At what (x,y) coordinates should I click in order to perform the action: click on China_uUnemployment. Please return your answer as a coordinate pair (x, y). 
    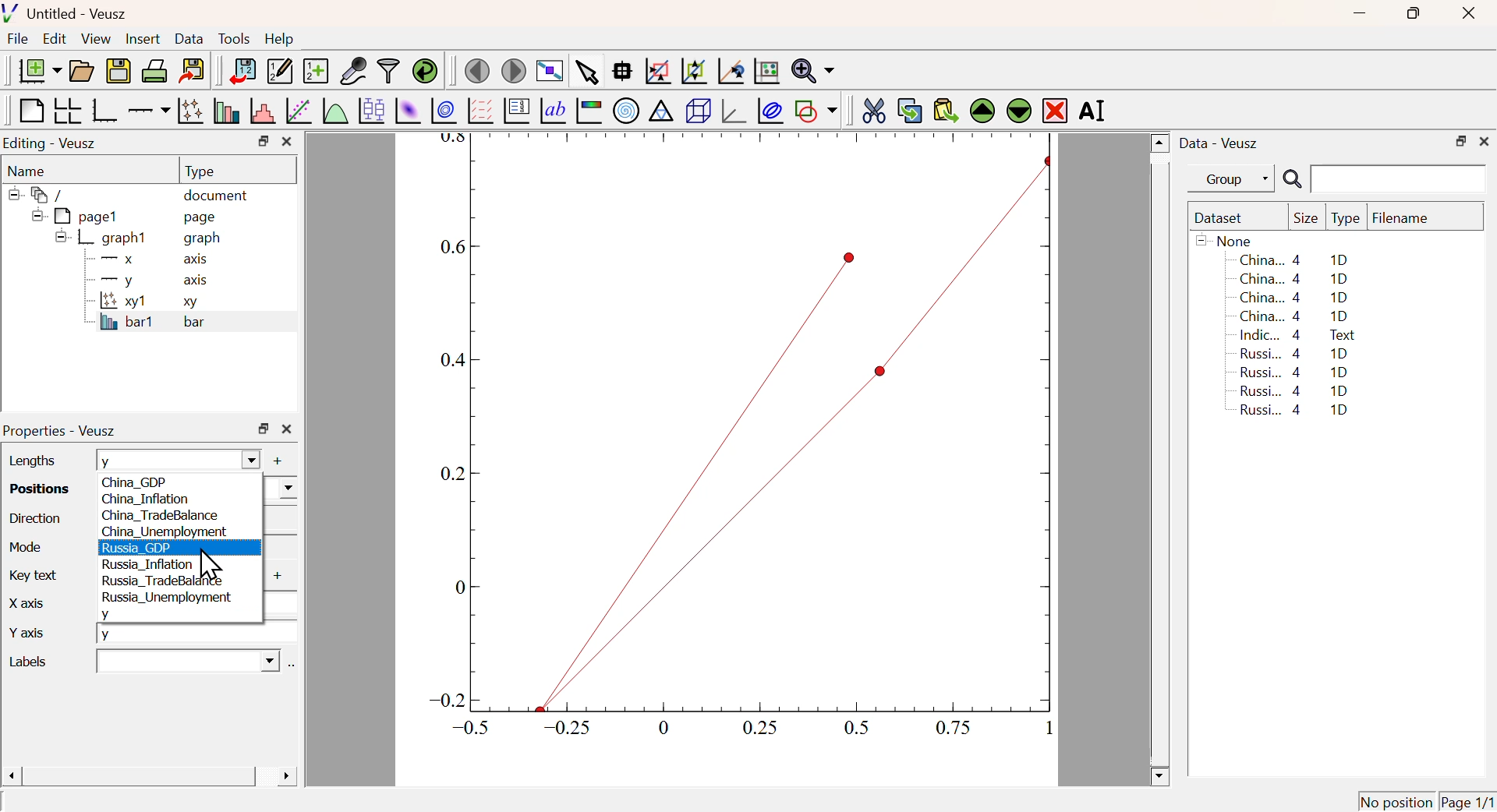
    Looking at the image, I should click on (165, 533).